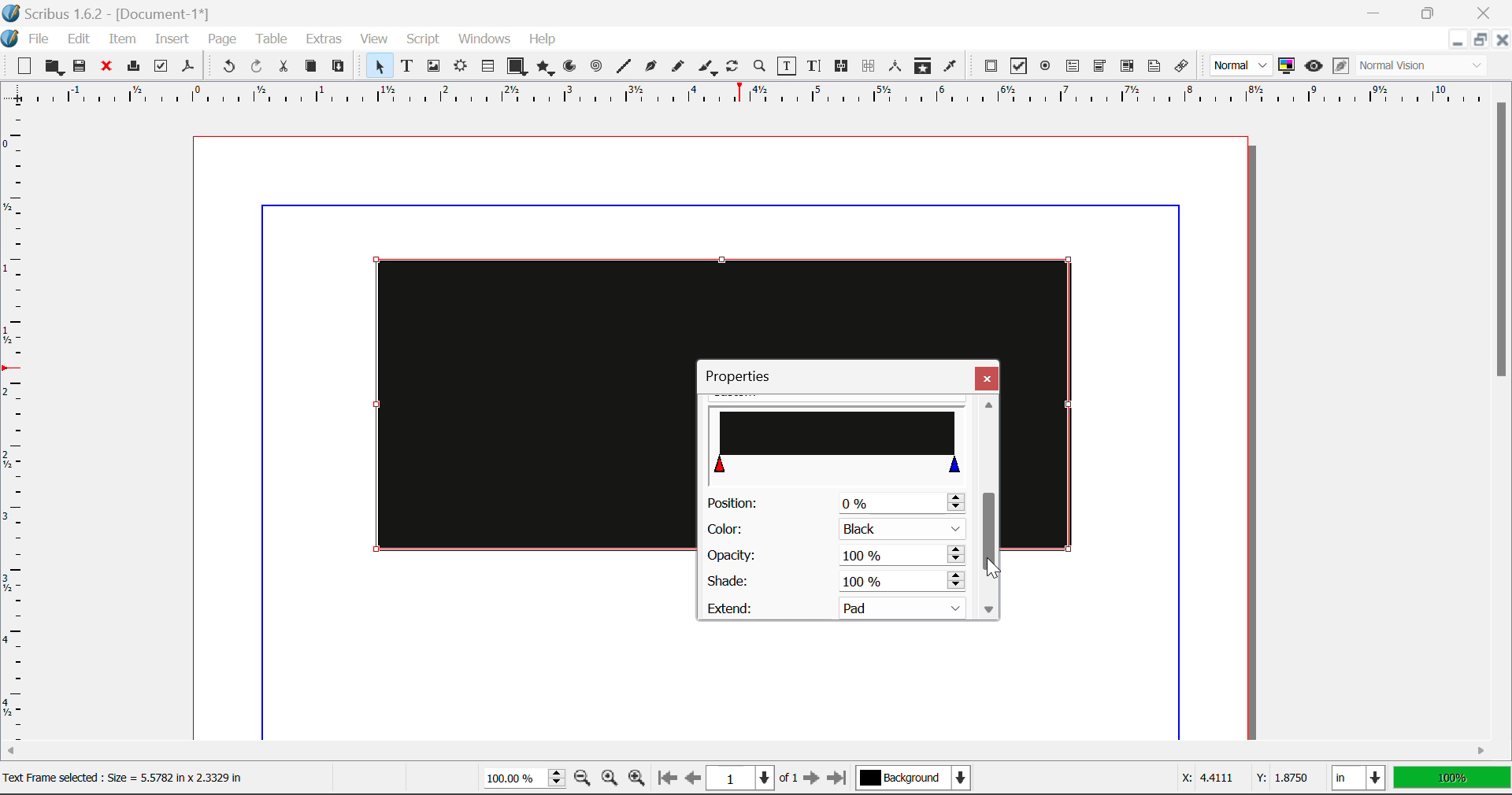  What do you see at coordinates (1376, 11) in the screenshot?
I see `Restore Down` at bounding box center [1376, 11].